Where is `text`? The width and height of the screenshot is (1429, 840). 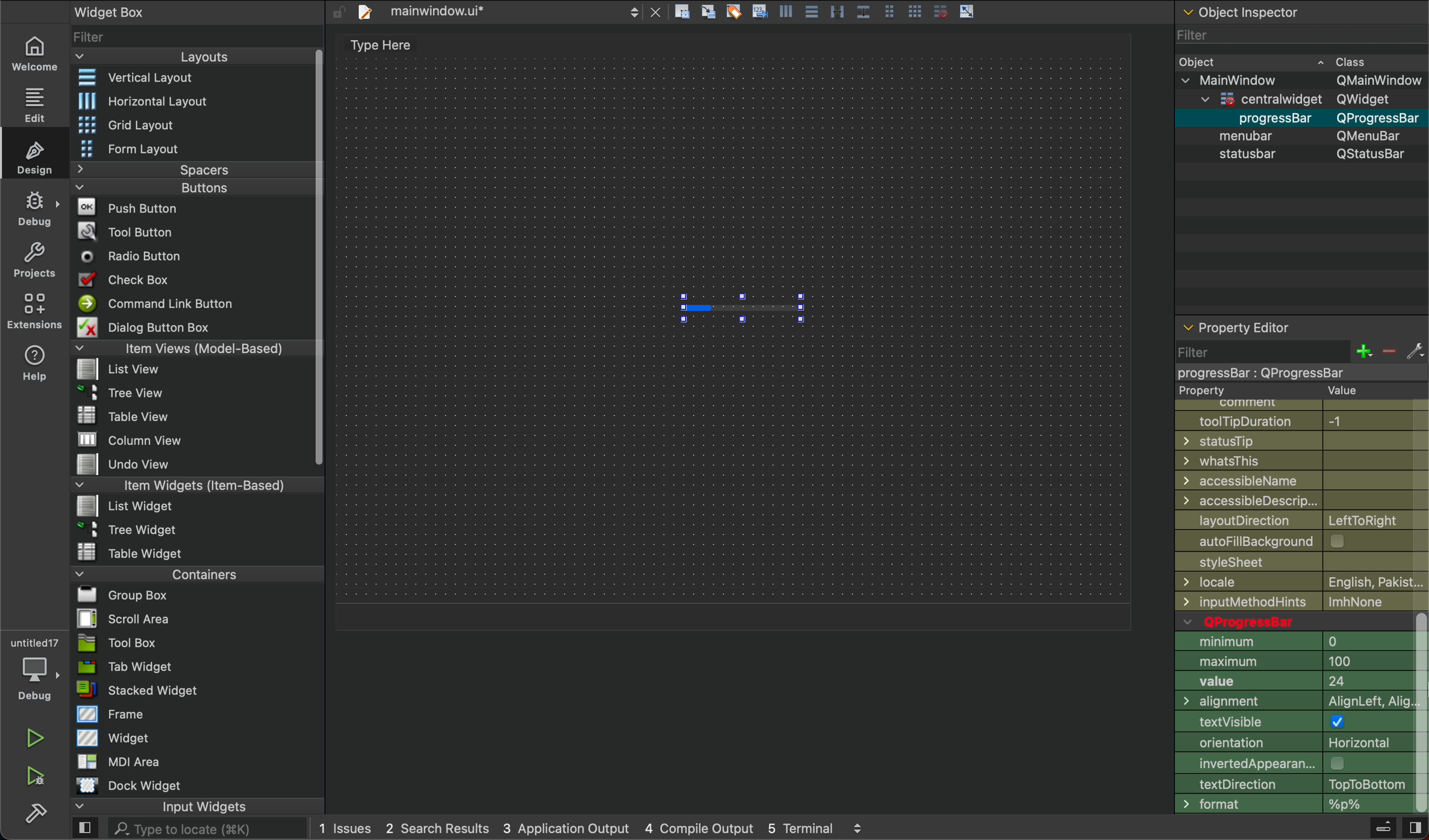
text is located at coordinates (375, 47).